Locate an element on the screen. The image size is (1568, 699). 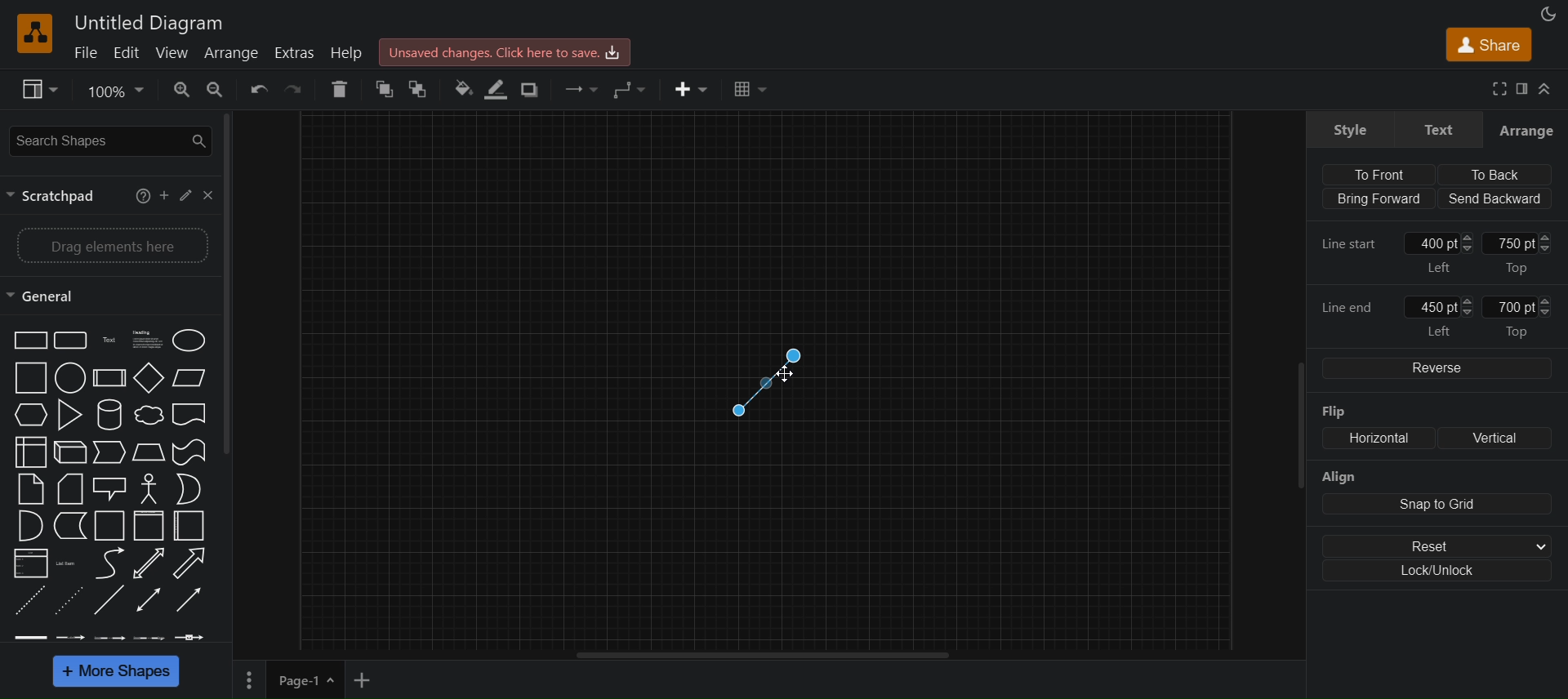
zoom out is located at coordinates (217, 89).